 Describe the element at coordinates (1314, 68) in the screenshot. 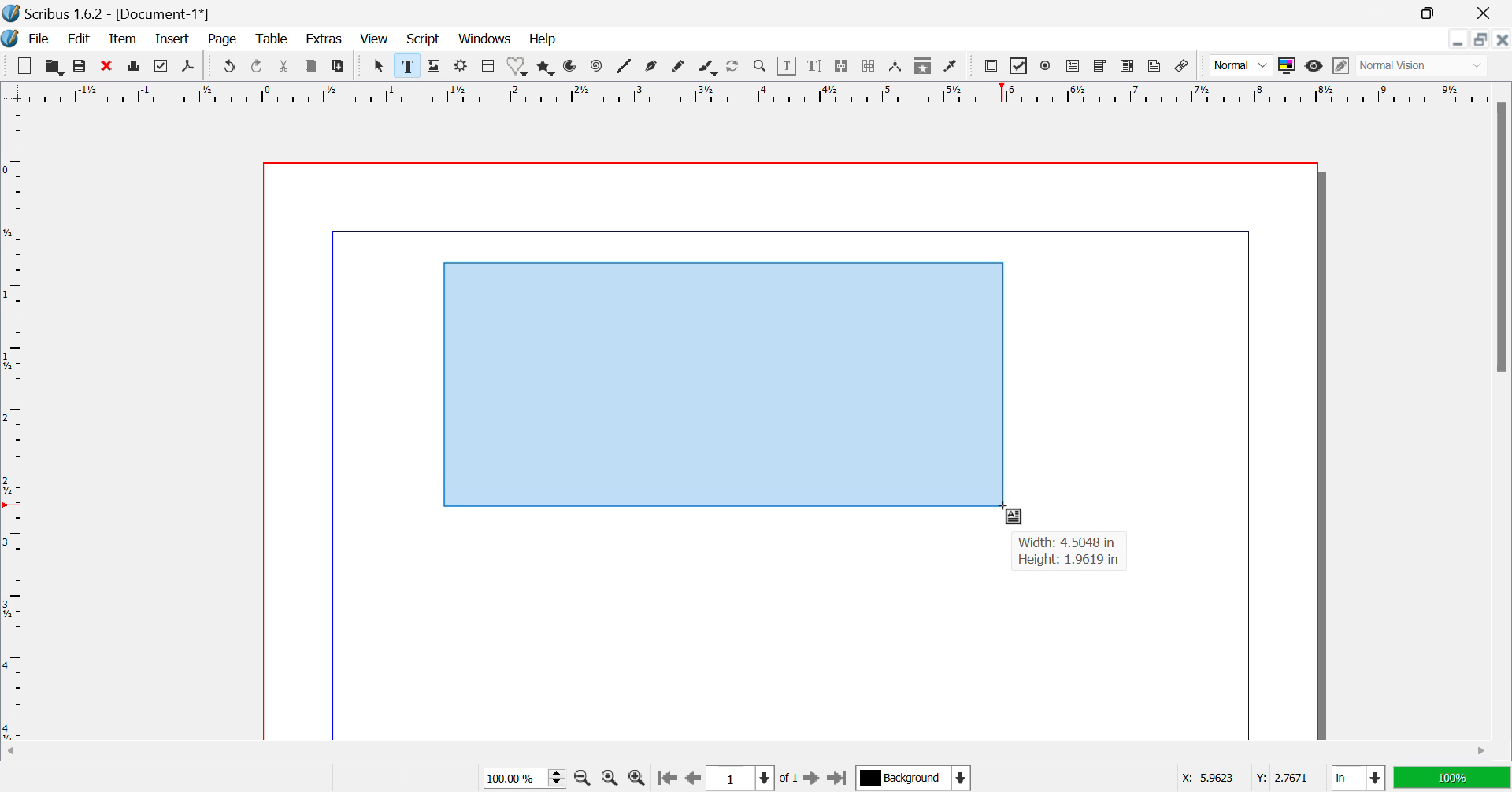

I see `Preview Mode` at that location.